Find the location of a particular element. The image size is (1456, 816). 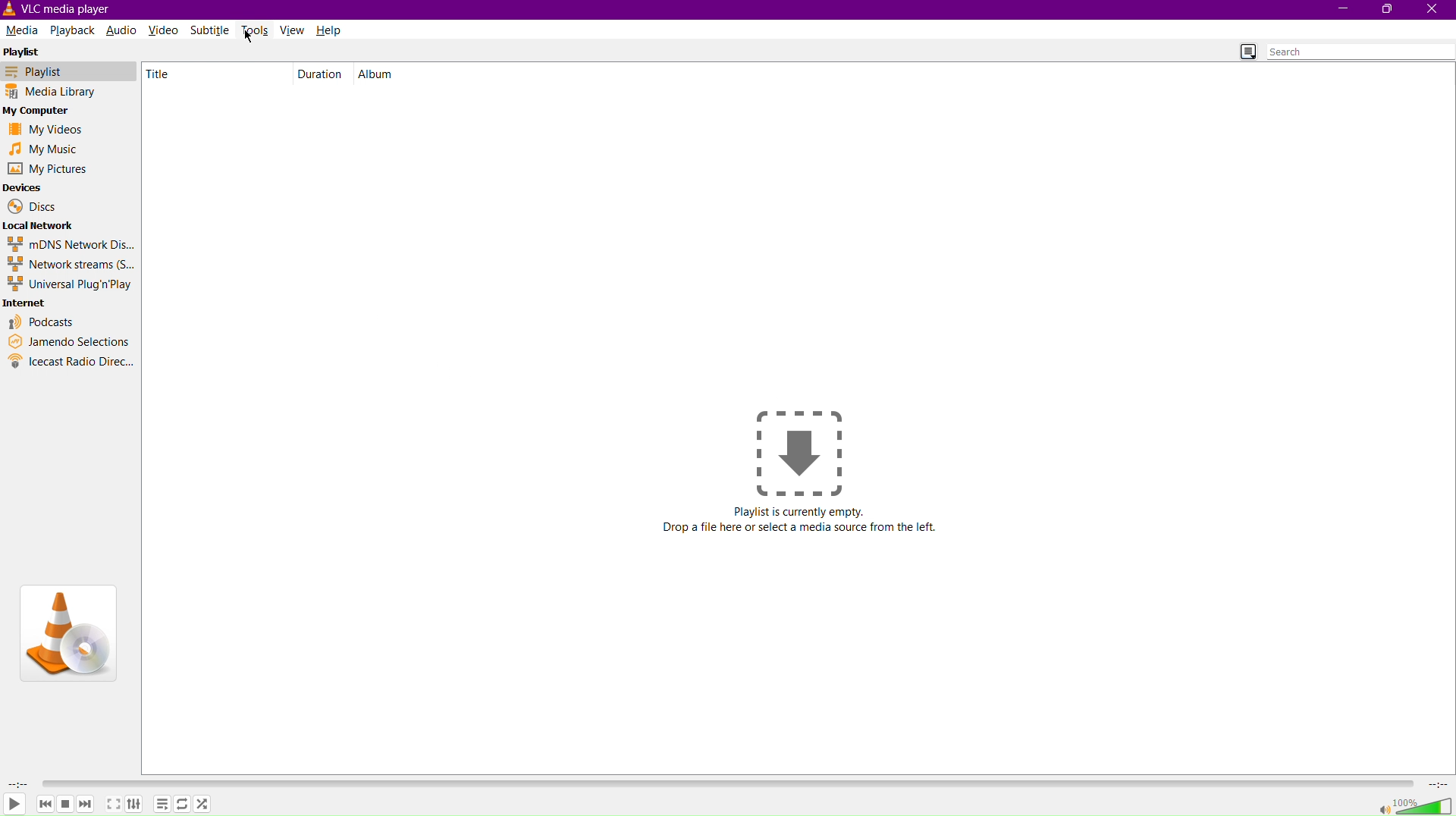

Cursor is located at coordinates (248, 37).